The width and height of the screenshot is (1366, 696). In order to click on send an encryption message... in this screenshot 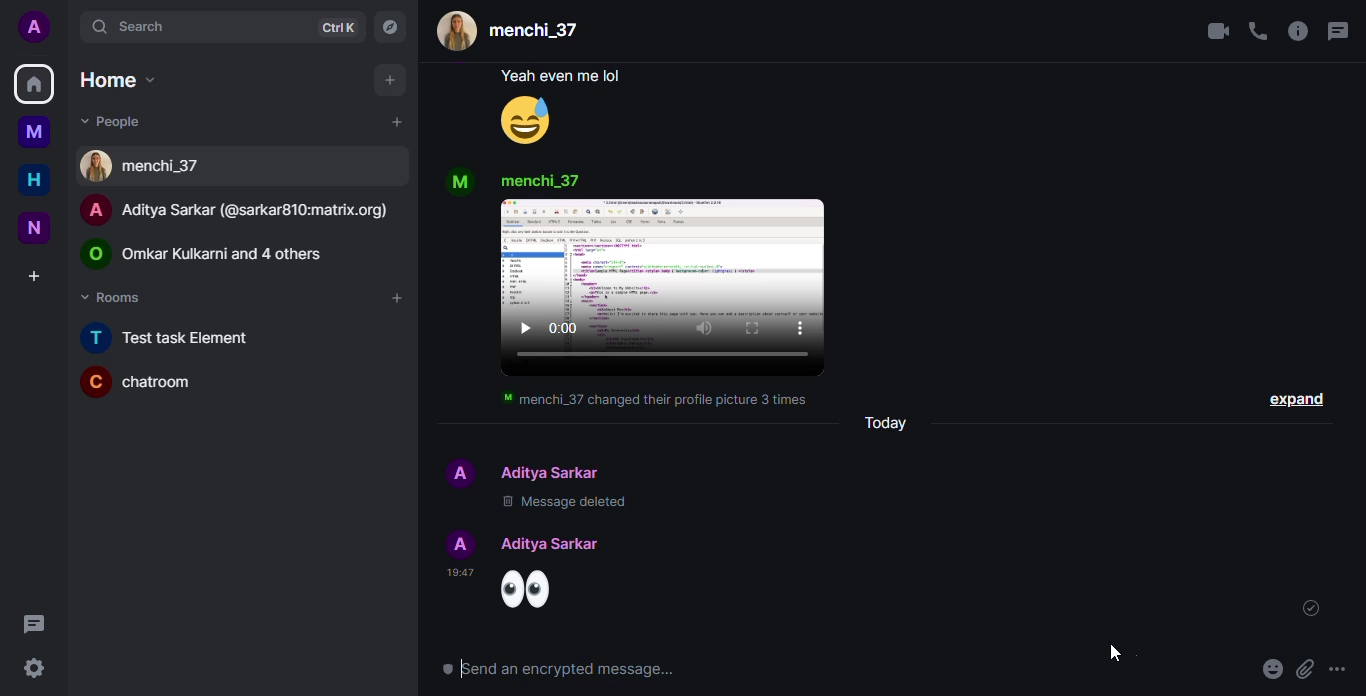, I will do `click(575, 669)`.